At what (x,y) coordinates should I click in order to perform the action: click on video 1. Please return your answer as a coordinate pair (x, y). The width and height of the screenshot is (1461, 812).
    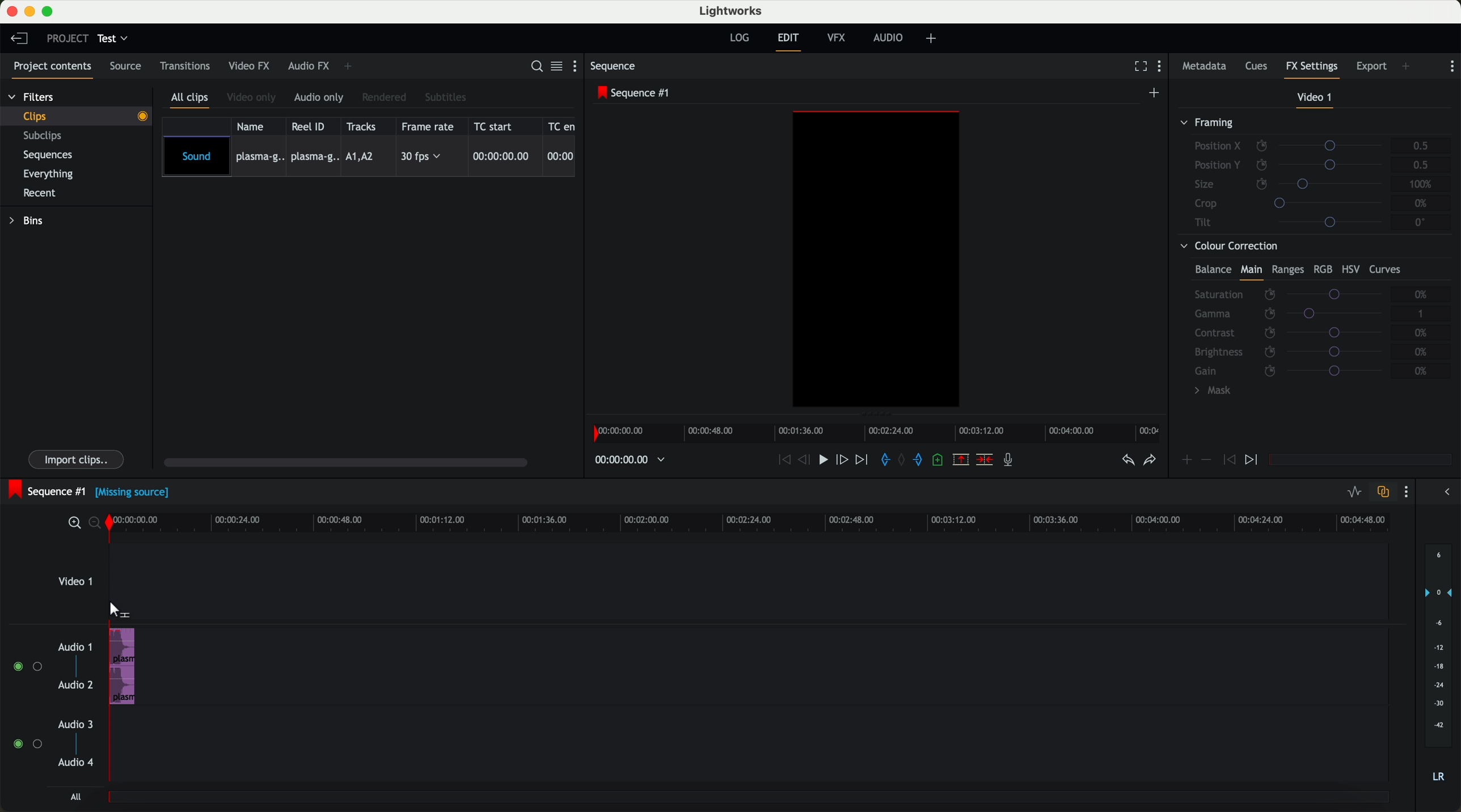
    Looking at the image, I should click on (75, 585).